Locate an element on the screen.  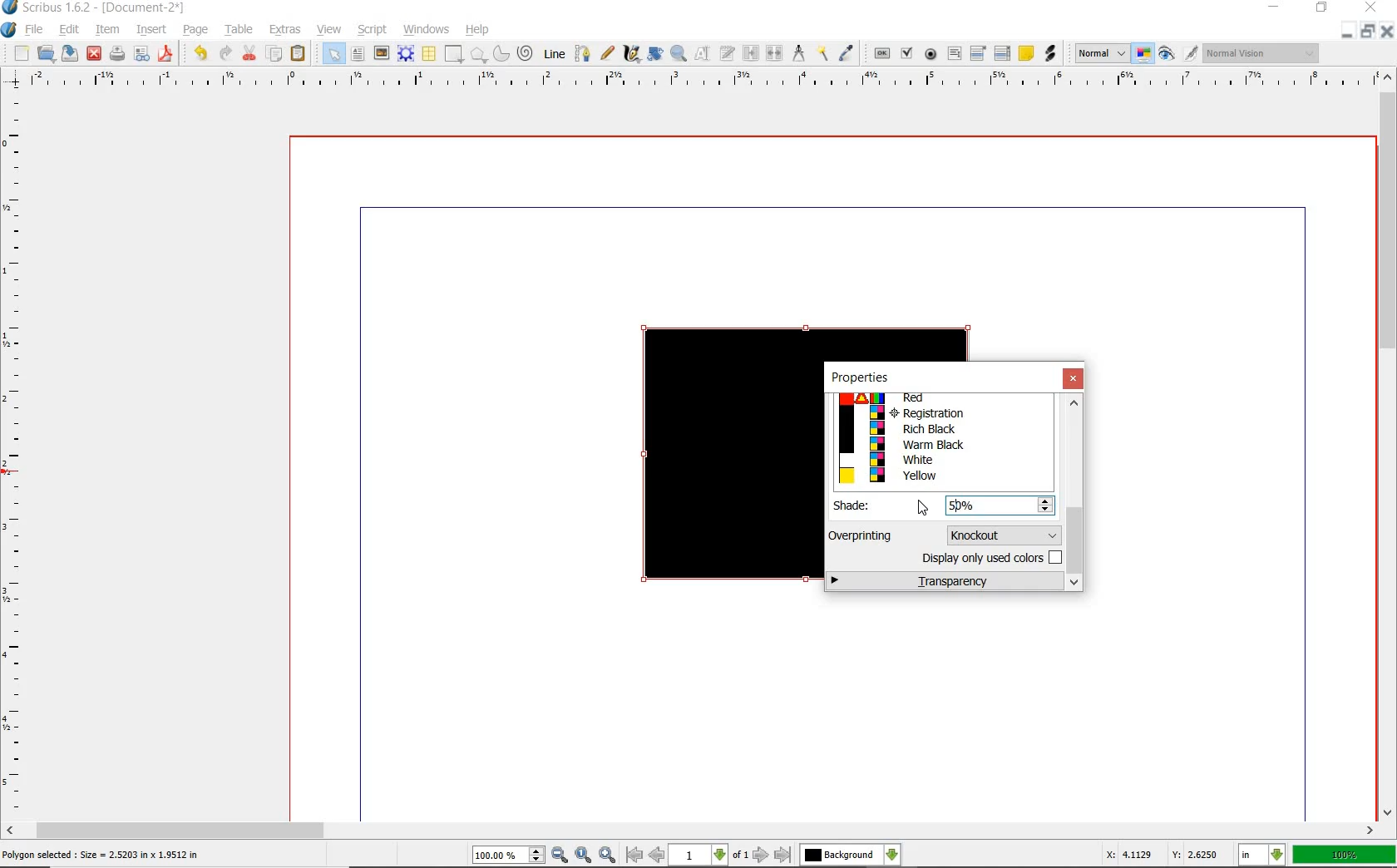
pdf push button is located at coordinates (880, 55).